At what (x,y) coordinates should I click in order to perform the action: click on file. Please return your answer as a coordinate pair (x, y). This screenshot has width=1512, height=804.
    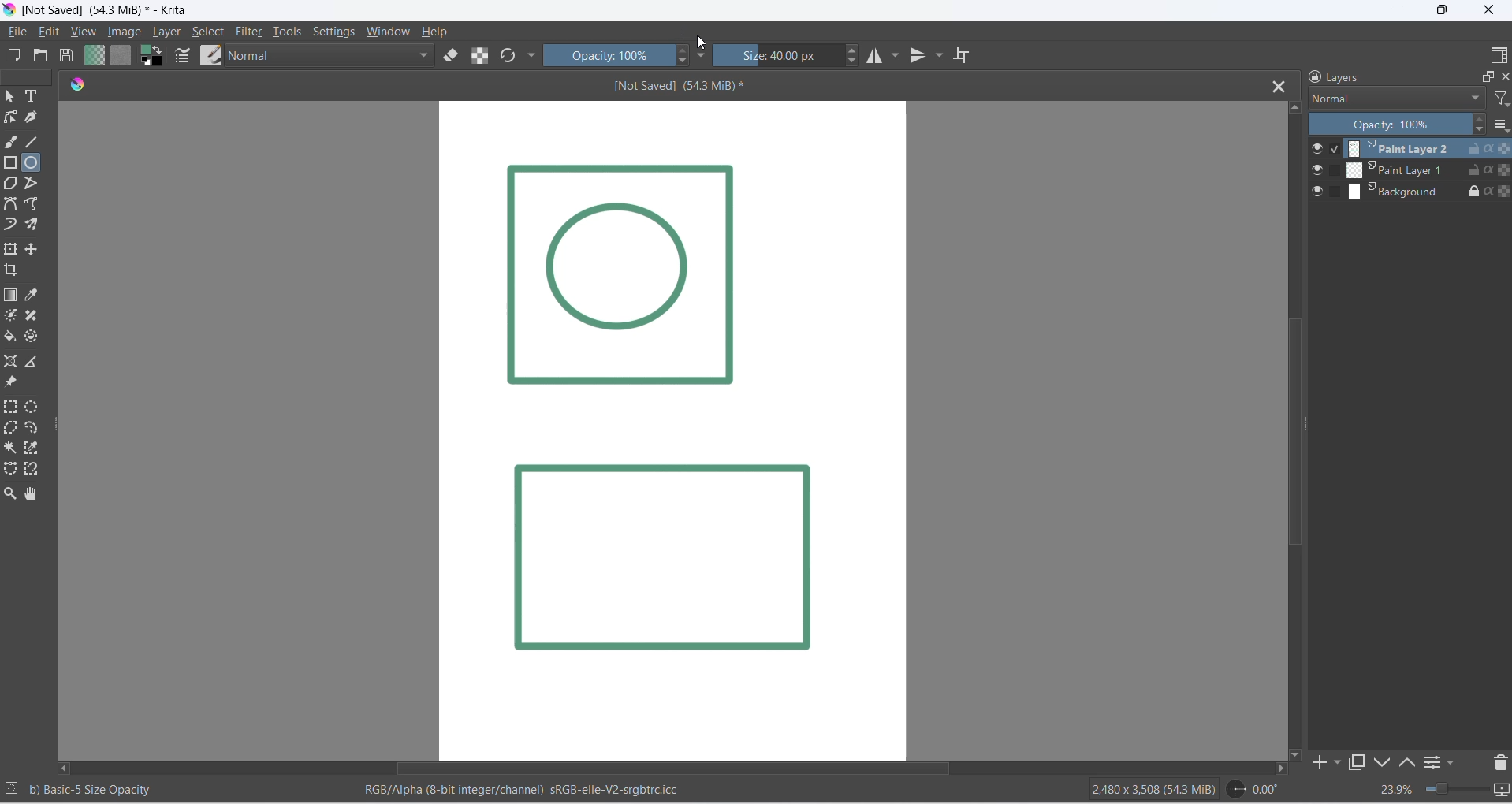
    Looking at the image, I should click on (18, 33).